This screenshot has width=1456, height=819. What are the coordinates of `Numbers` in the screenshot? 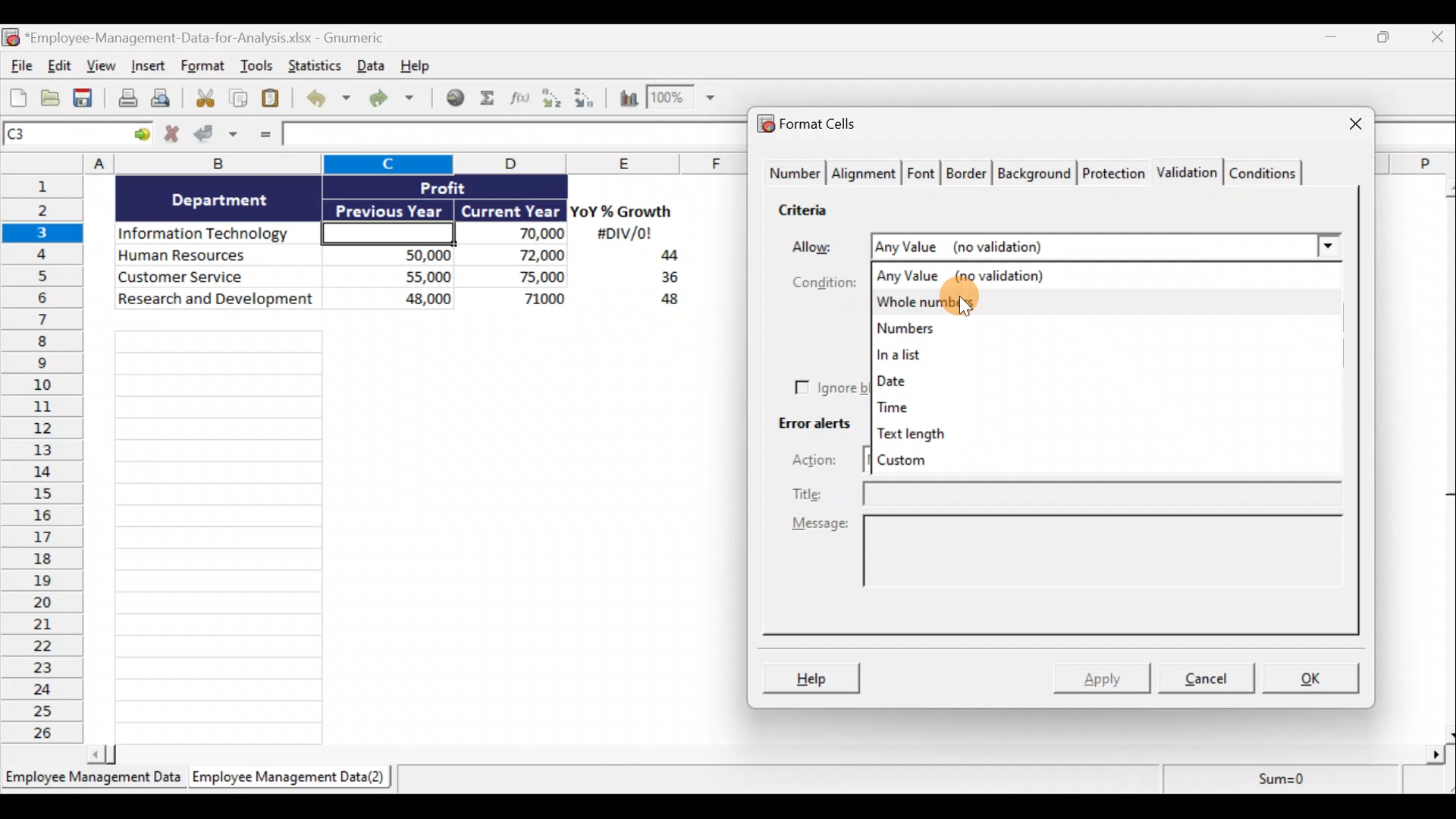 It's located at (1109, 329).